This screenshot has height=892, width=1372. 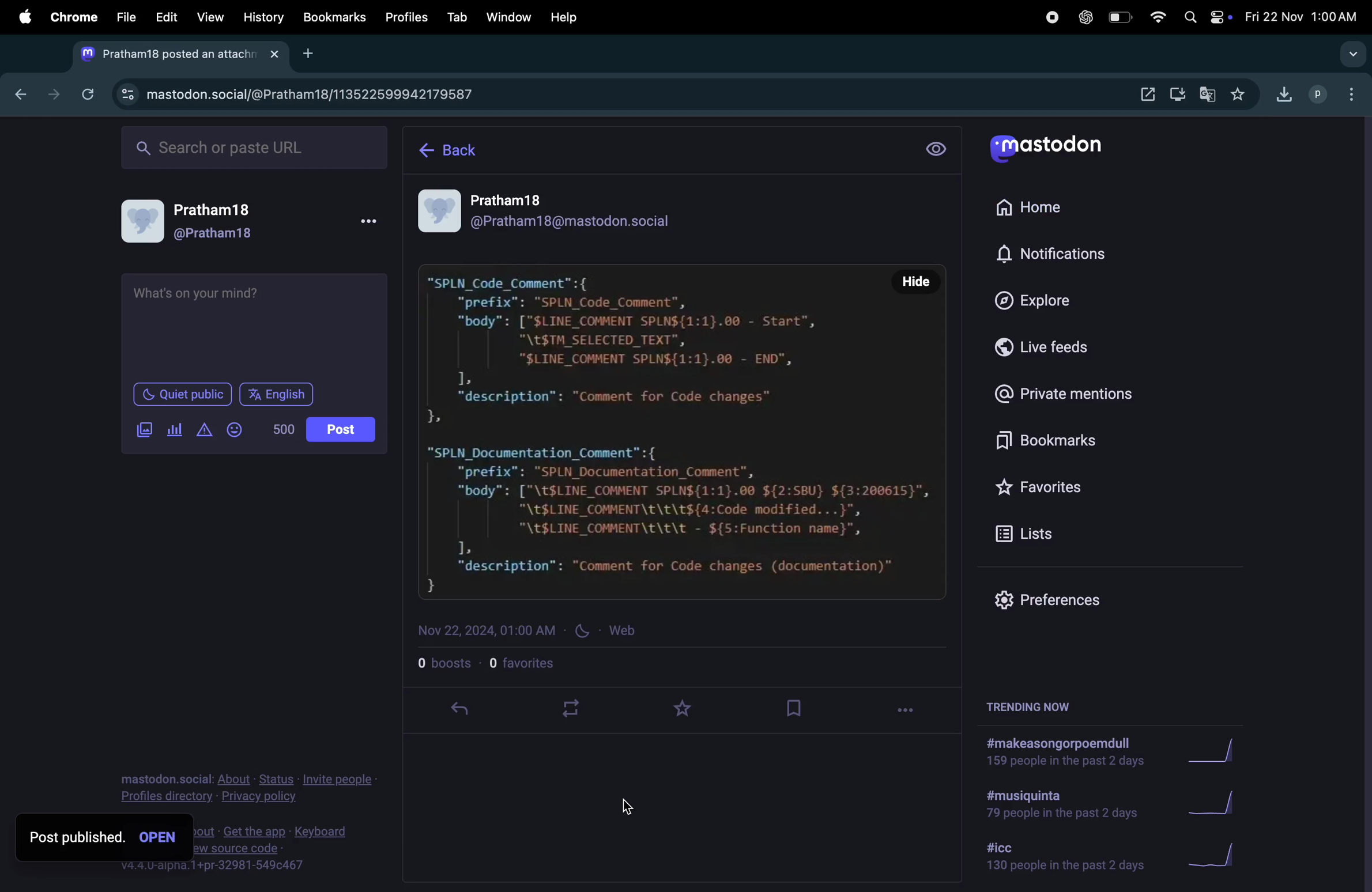 What do you see at coordinates (1064, 753) in the screenshot?
I see `hashtags` at bounding box center [1064, 753].